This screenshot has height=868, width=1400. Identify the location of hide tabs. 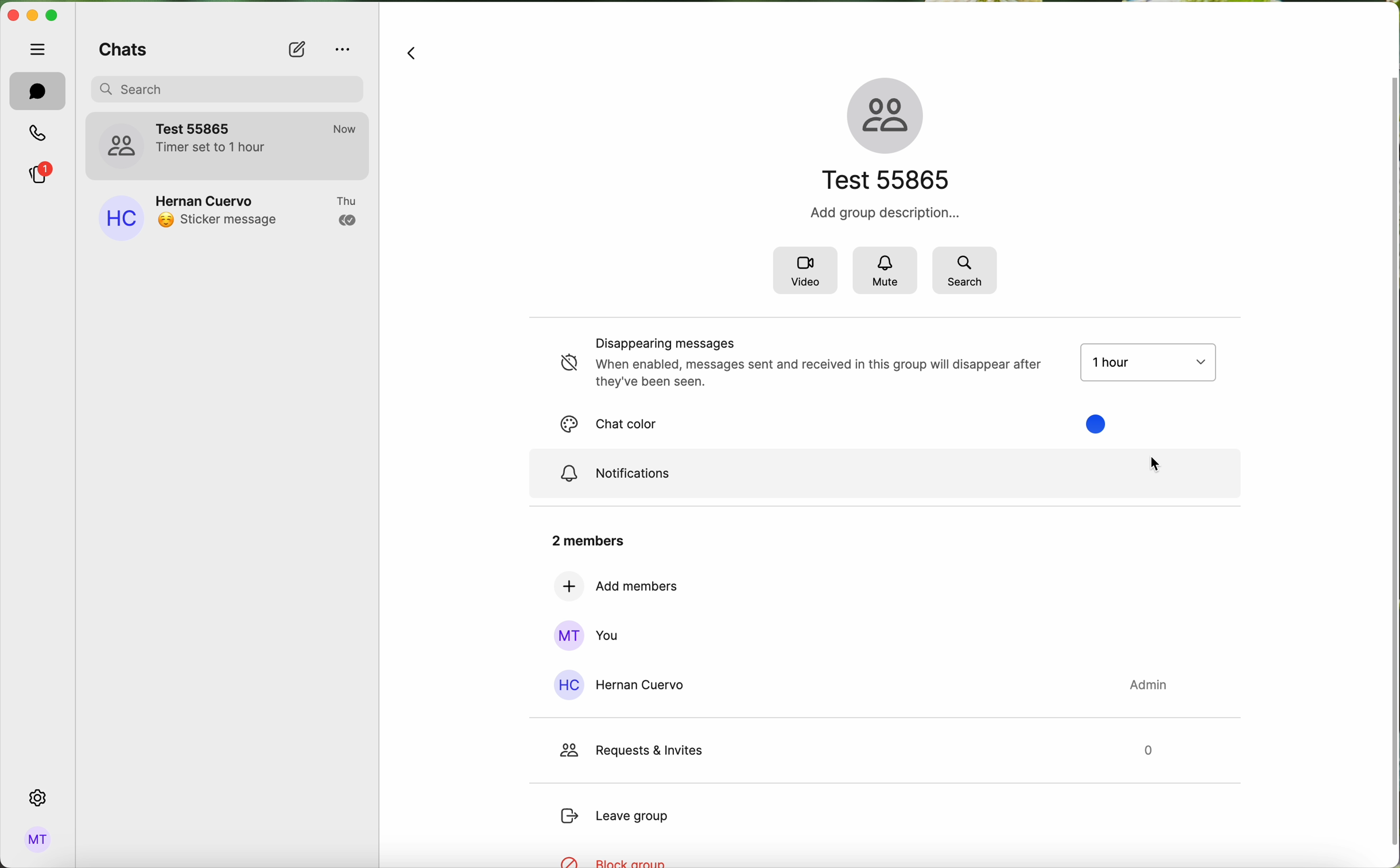
(36, 49).